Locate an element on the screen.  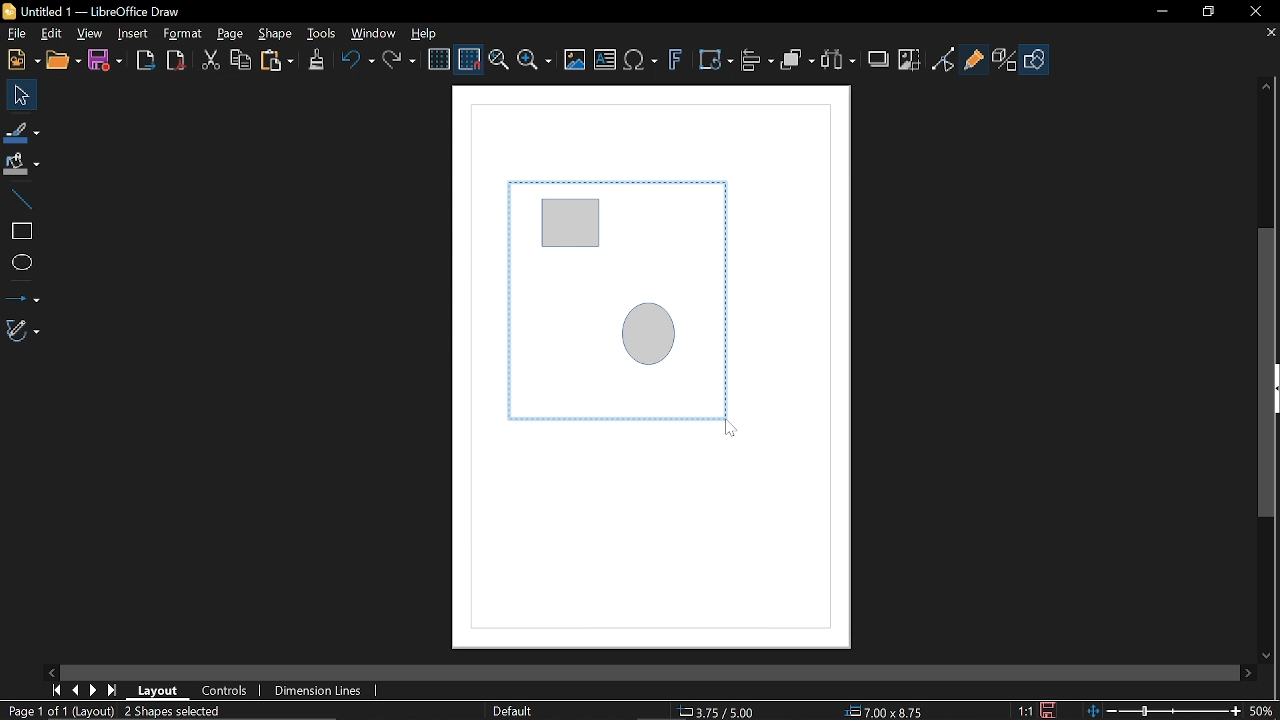
Current window is located at coordinates (100, 11).